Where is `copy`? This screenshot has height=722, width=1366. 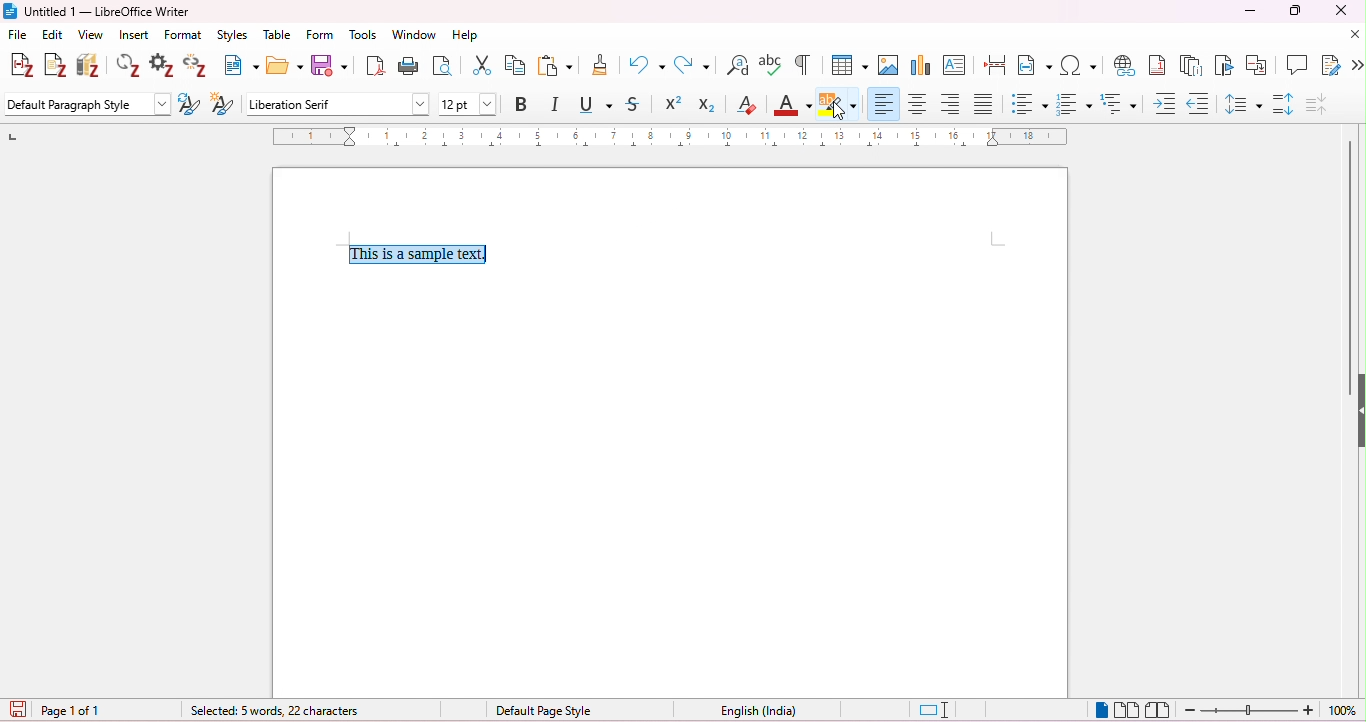 copy is located at coordinates (518, 65).